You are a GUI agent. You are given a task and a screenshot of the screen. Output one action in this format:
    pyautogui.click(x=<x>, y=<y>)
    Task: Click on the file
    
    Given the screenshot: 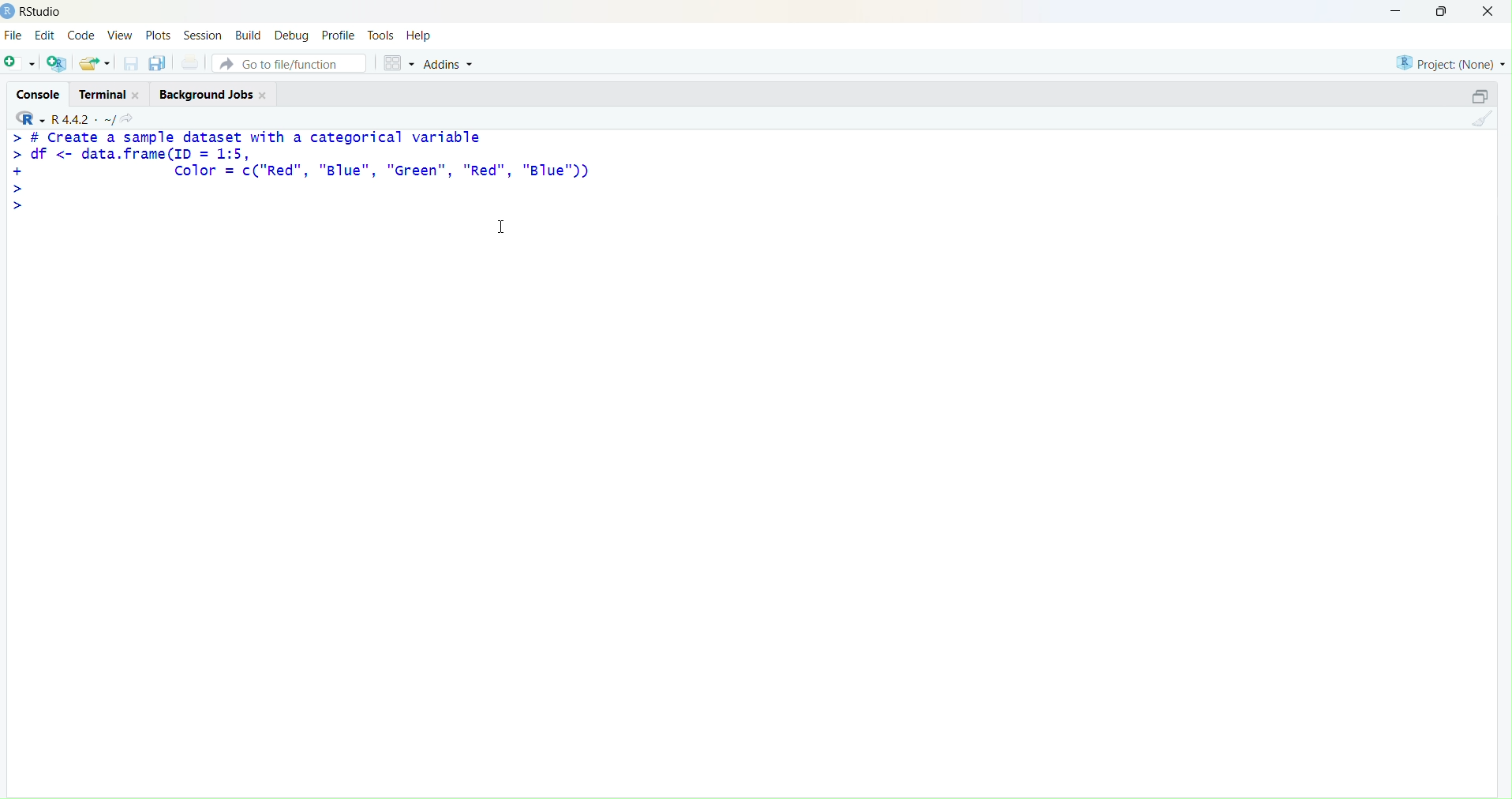 What is the action you would take?
    pyautogui.click(x=13, y=35)
    